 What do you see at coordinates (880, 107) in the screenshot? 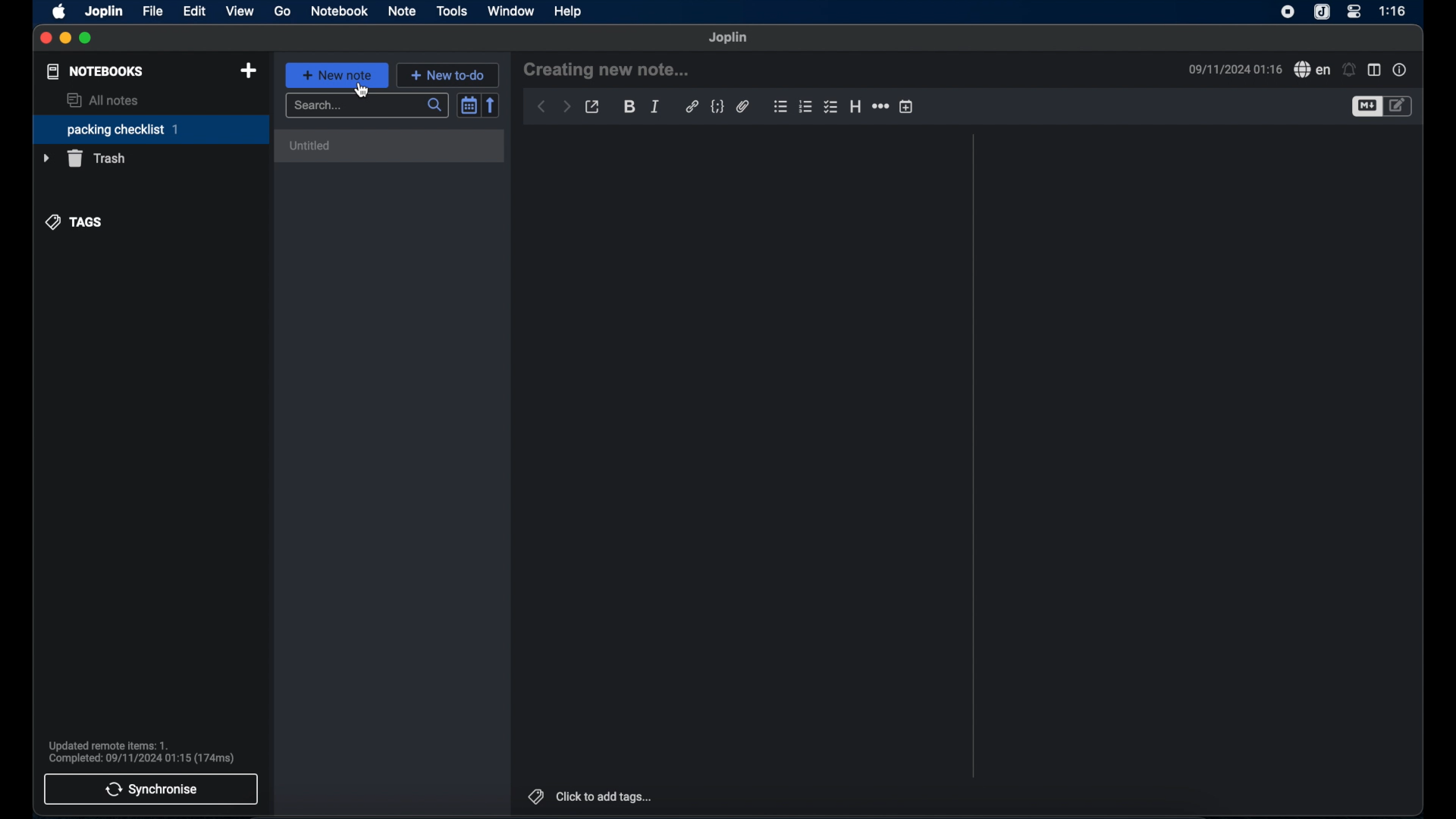
I see `horizontal rule` at bounding box center [880, 107].